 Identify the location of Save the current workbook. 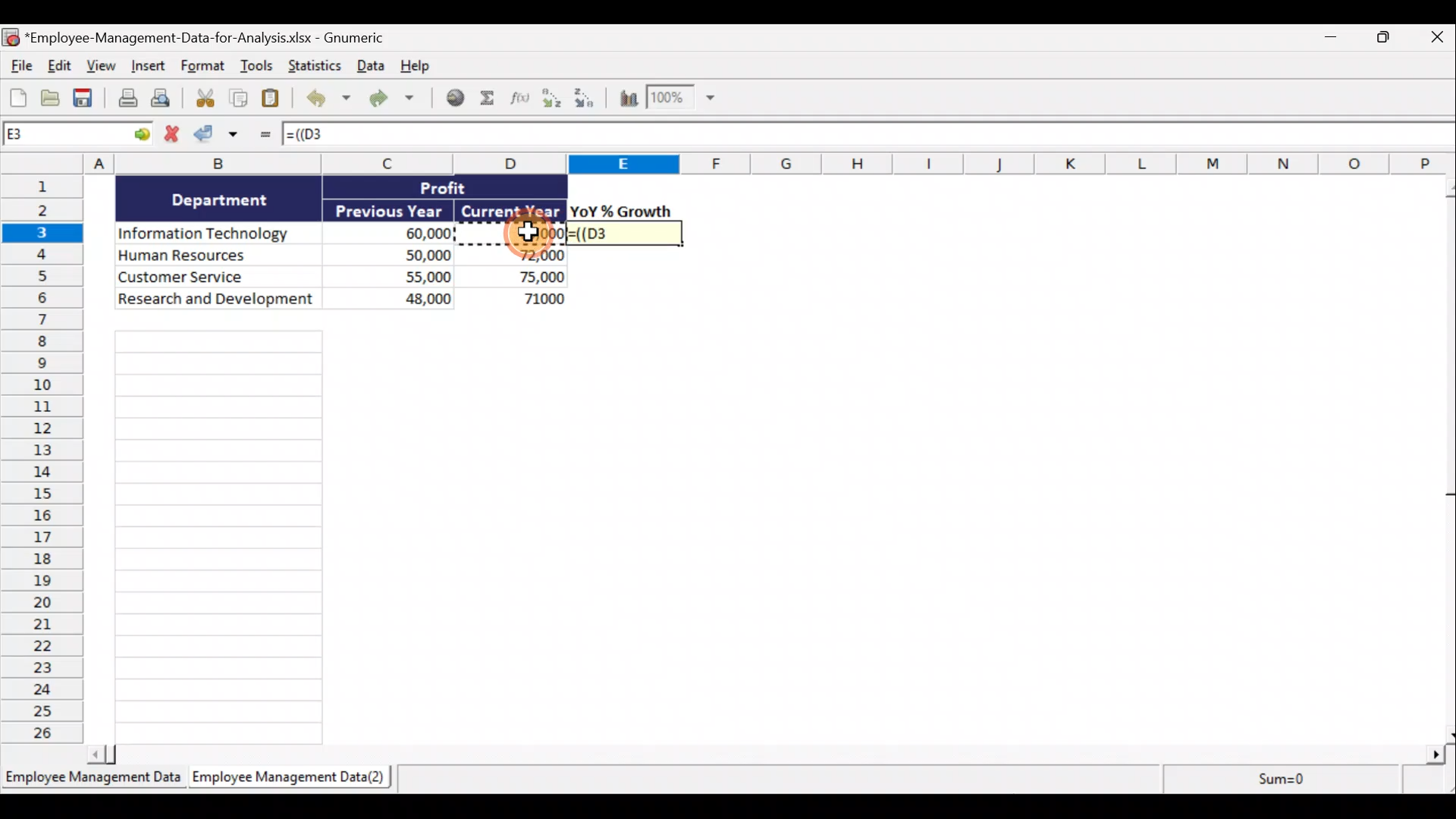
(86, 99).